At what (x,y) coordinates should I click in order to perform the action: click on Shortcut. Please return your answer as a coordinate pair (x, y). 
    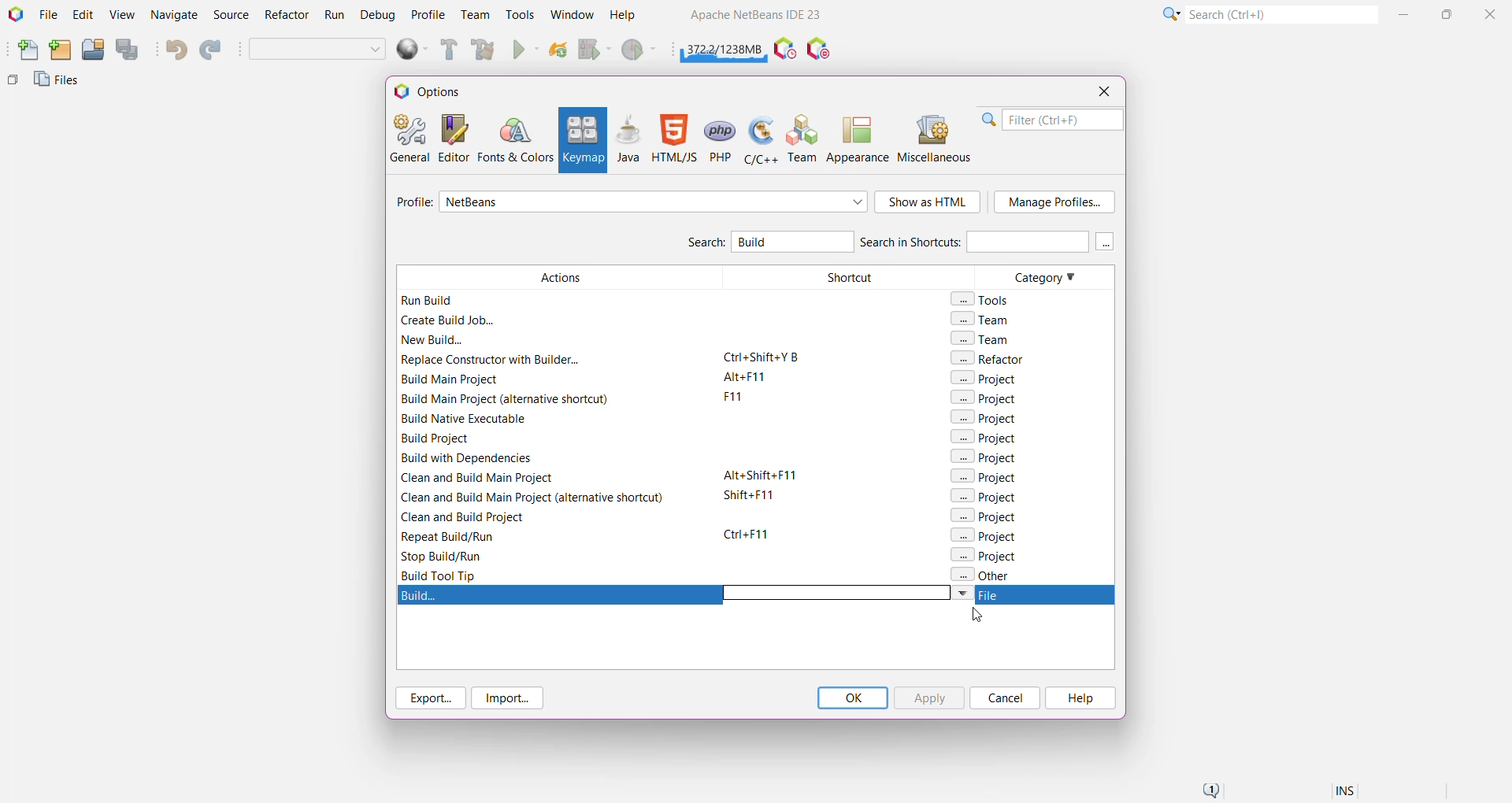
    Looking at the image, I should click on (842, 424).